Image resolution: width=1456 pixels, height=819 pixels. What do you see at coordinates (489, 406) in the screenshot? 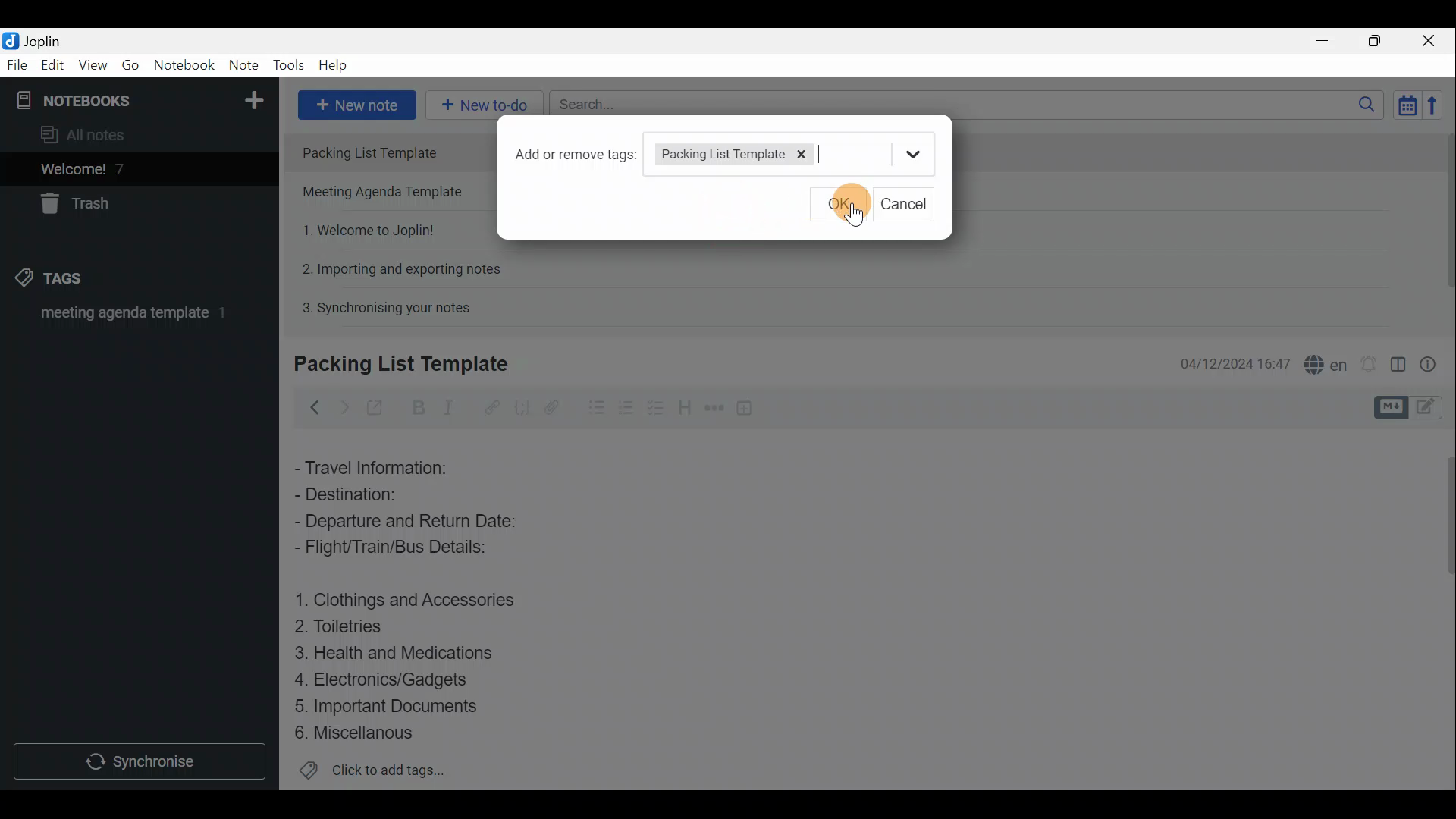
I see `Hyperlink` at bounding box center [489, 406].